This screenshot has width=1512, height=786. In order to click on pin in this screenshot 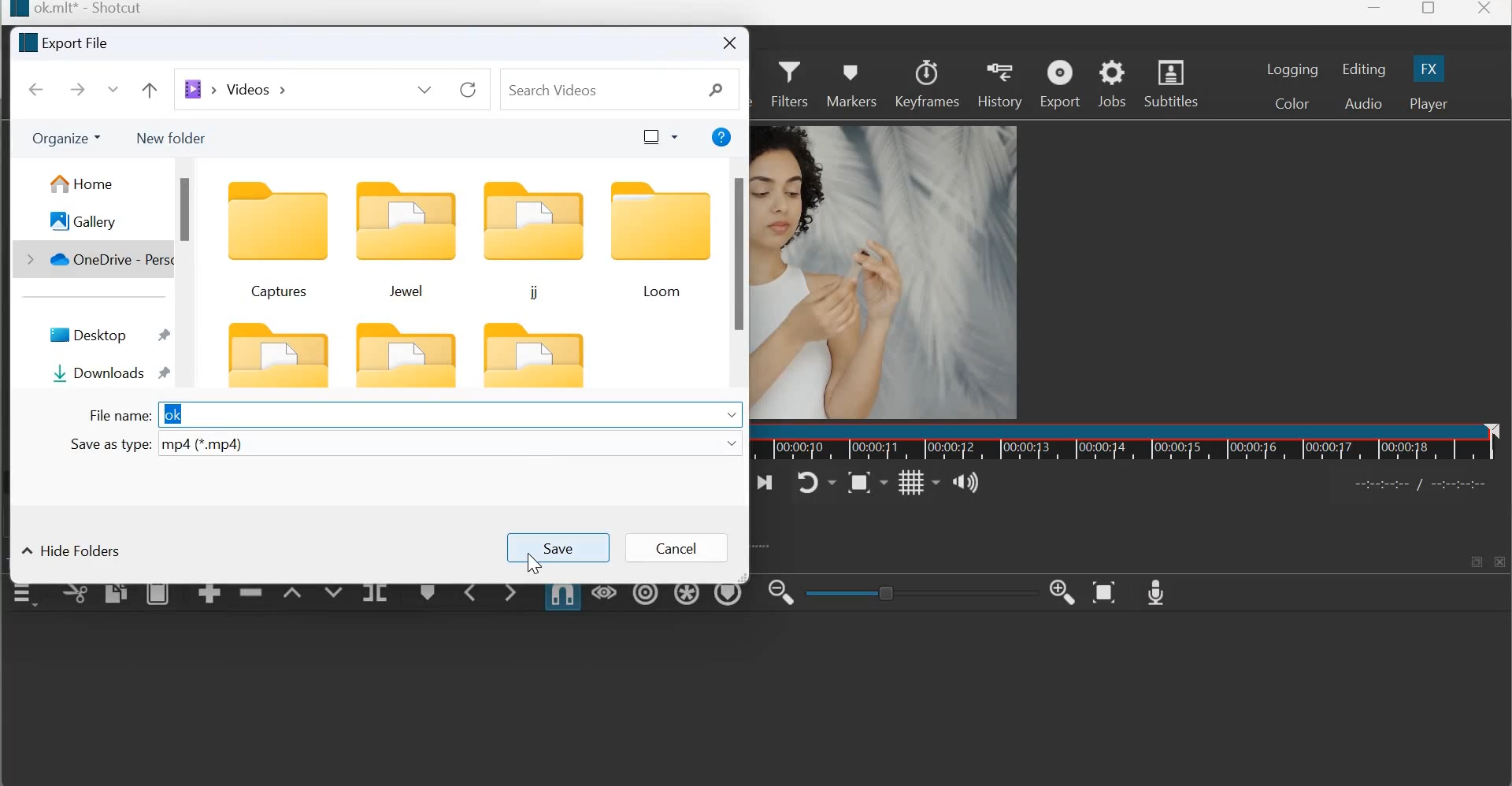, I will do `click(164, 337)`.